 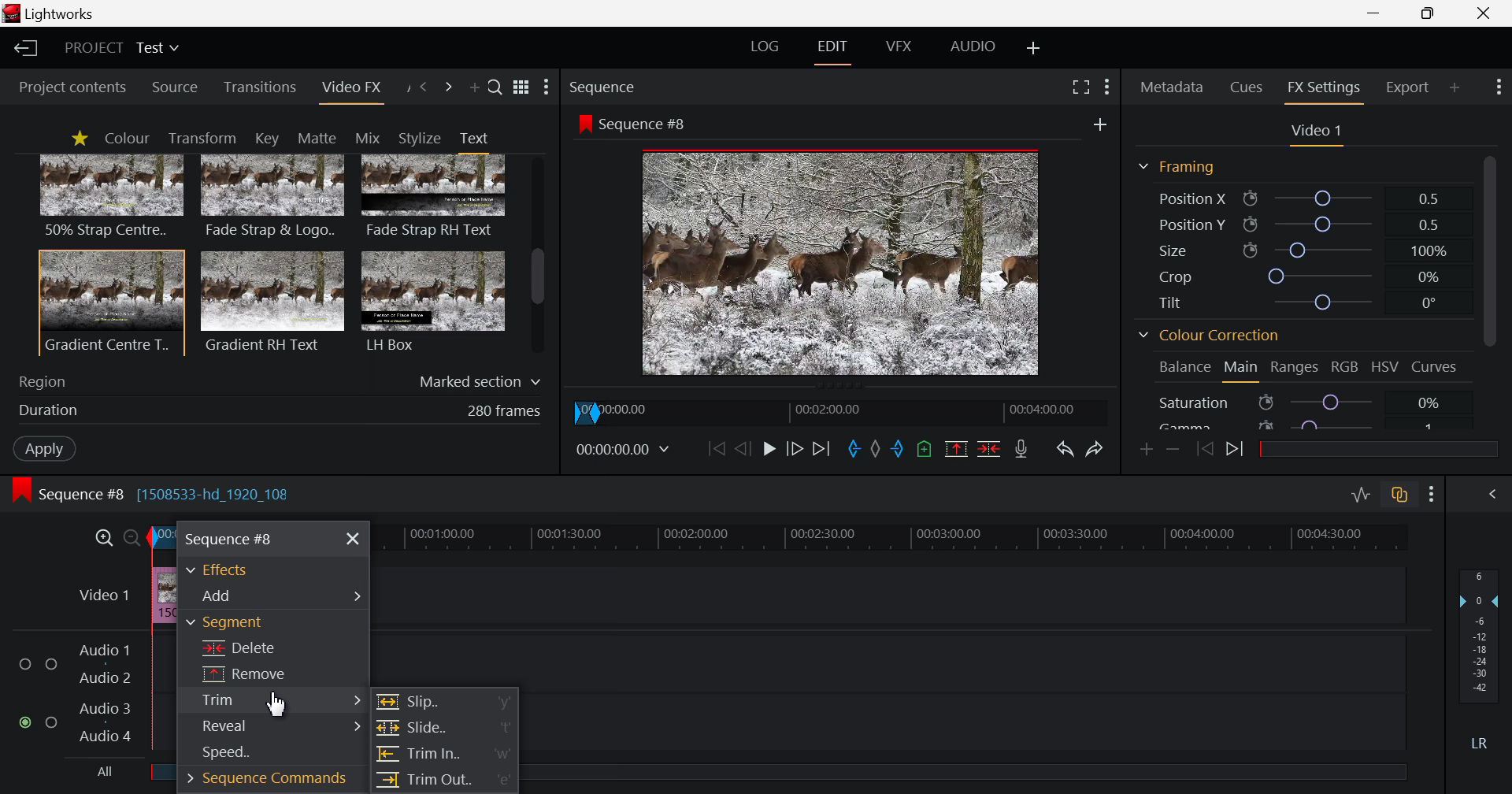 What do you see at coordinates (1301, 276) in the screenshot?
I see `Crop` at bounding box center [1301, 276].